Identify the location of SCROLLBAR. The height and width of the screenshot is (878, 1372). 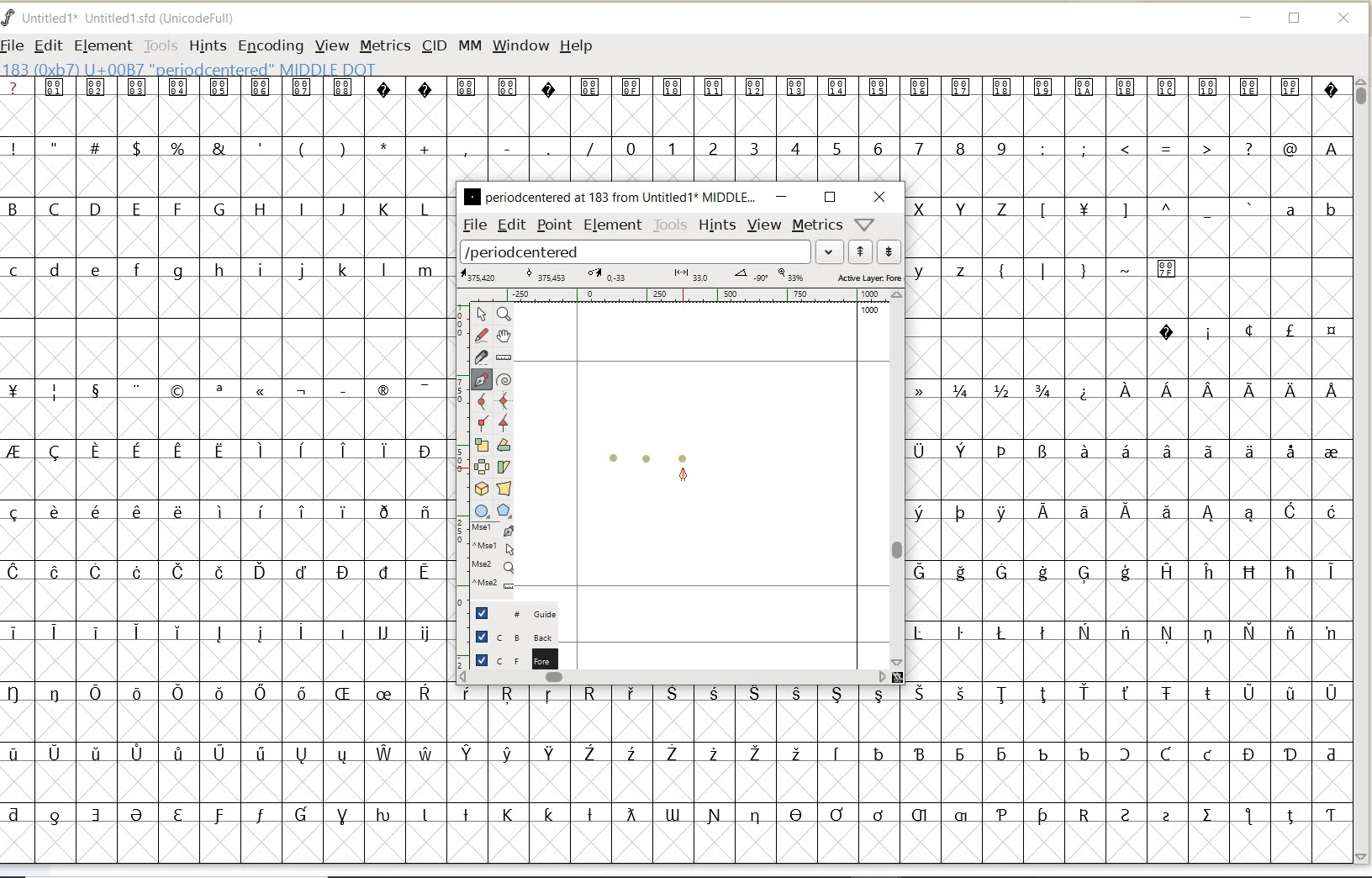
(1364, 470).